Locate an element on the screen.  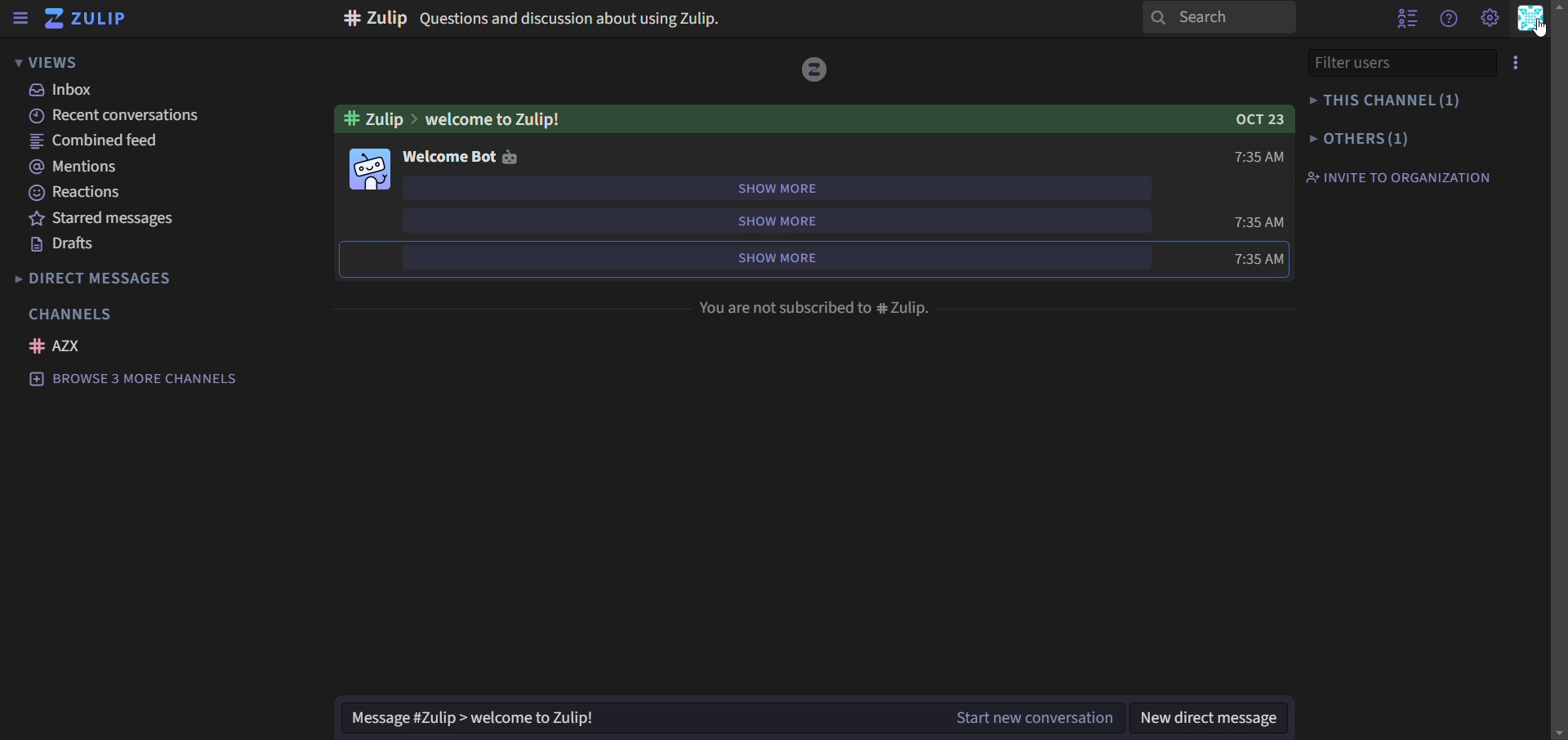
show more is located at coordinates (789, 258).